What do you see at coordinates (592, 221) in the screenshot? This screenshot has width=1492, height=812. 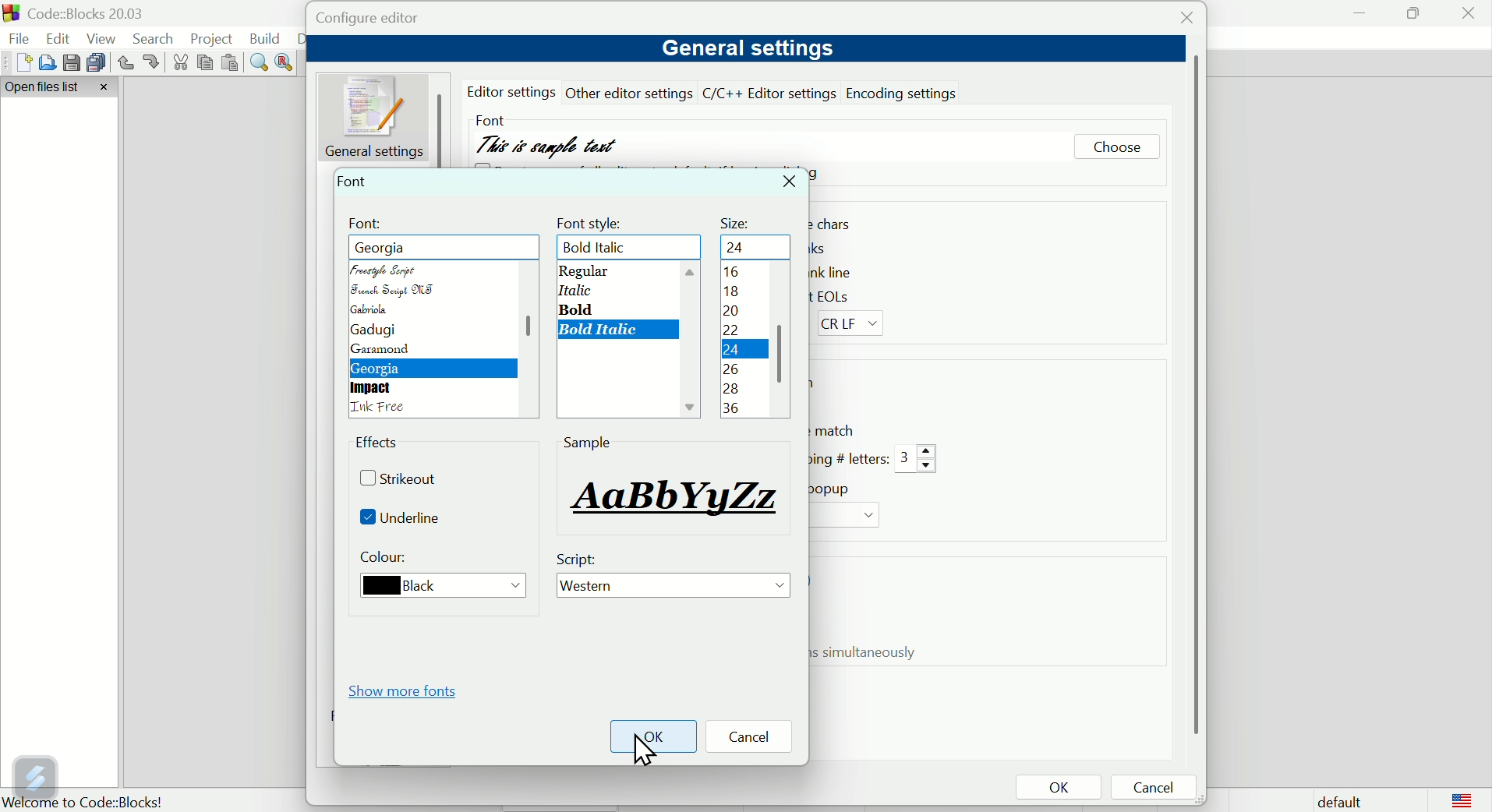 I see `font style` at bounding box center [592, 221].